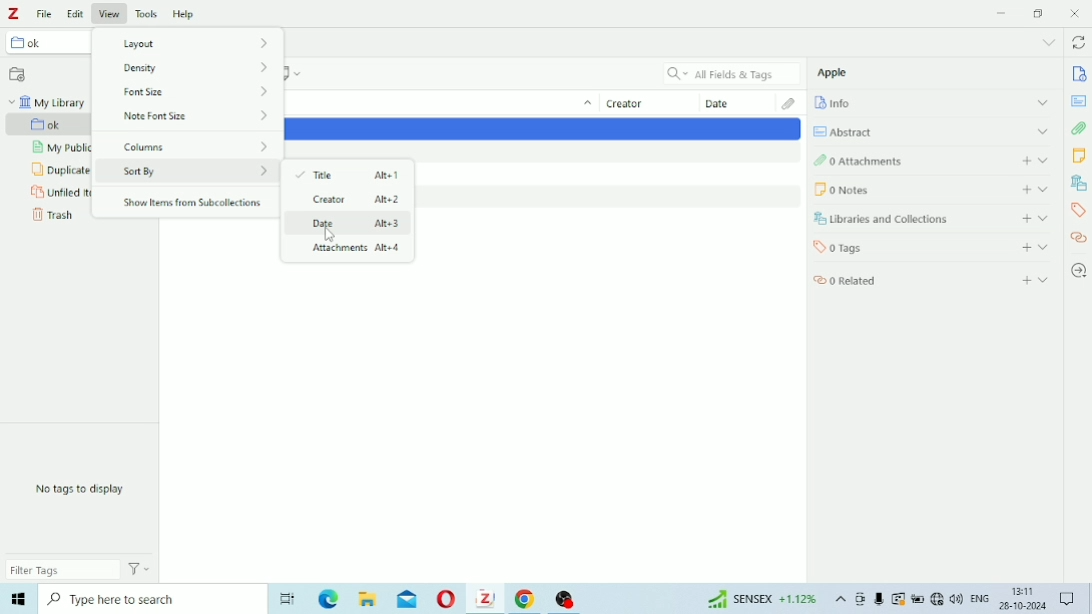  What do you see at coordinates (757, 601) in the screenshot?
I see `Chart` at bounding box center [757, 601].